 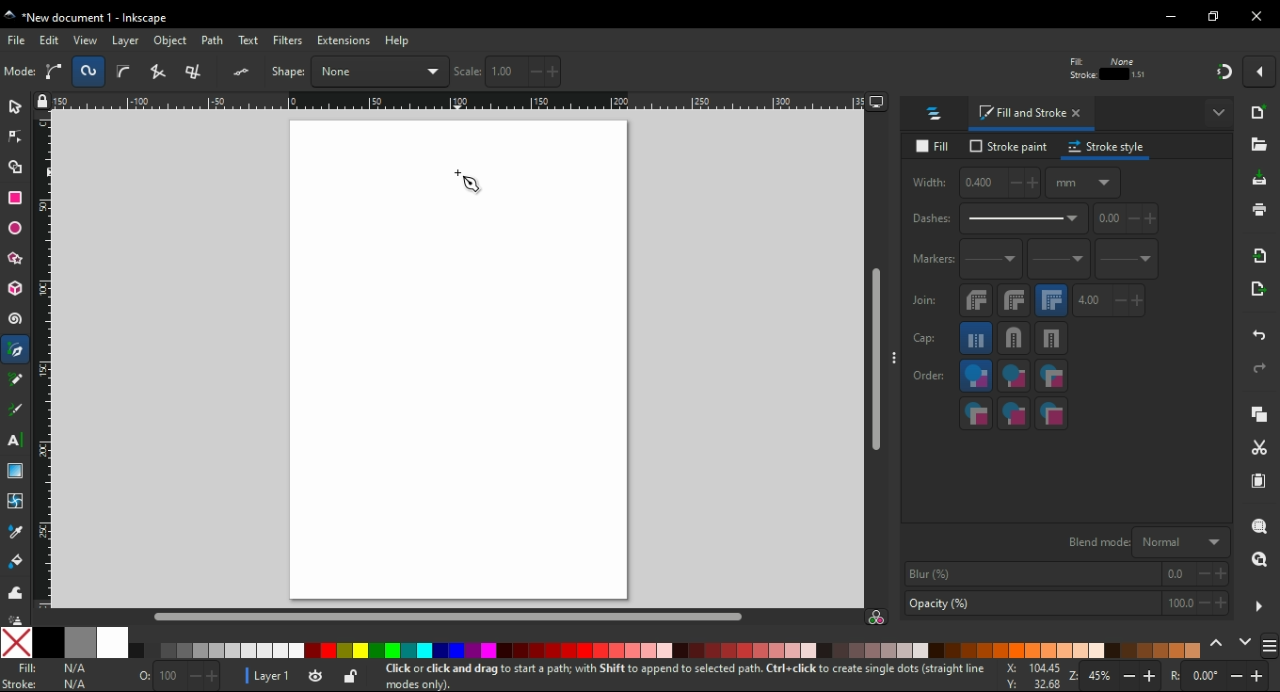 I want to click on text tool, so click(x=15, y=440).